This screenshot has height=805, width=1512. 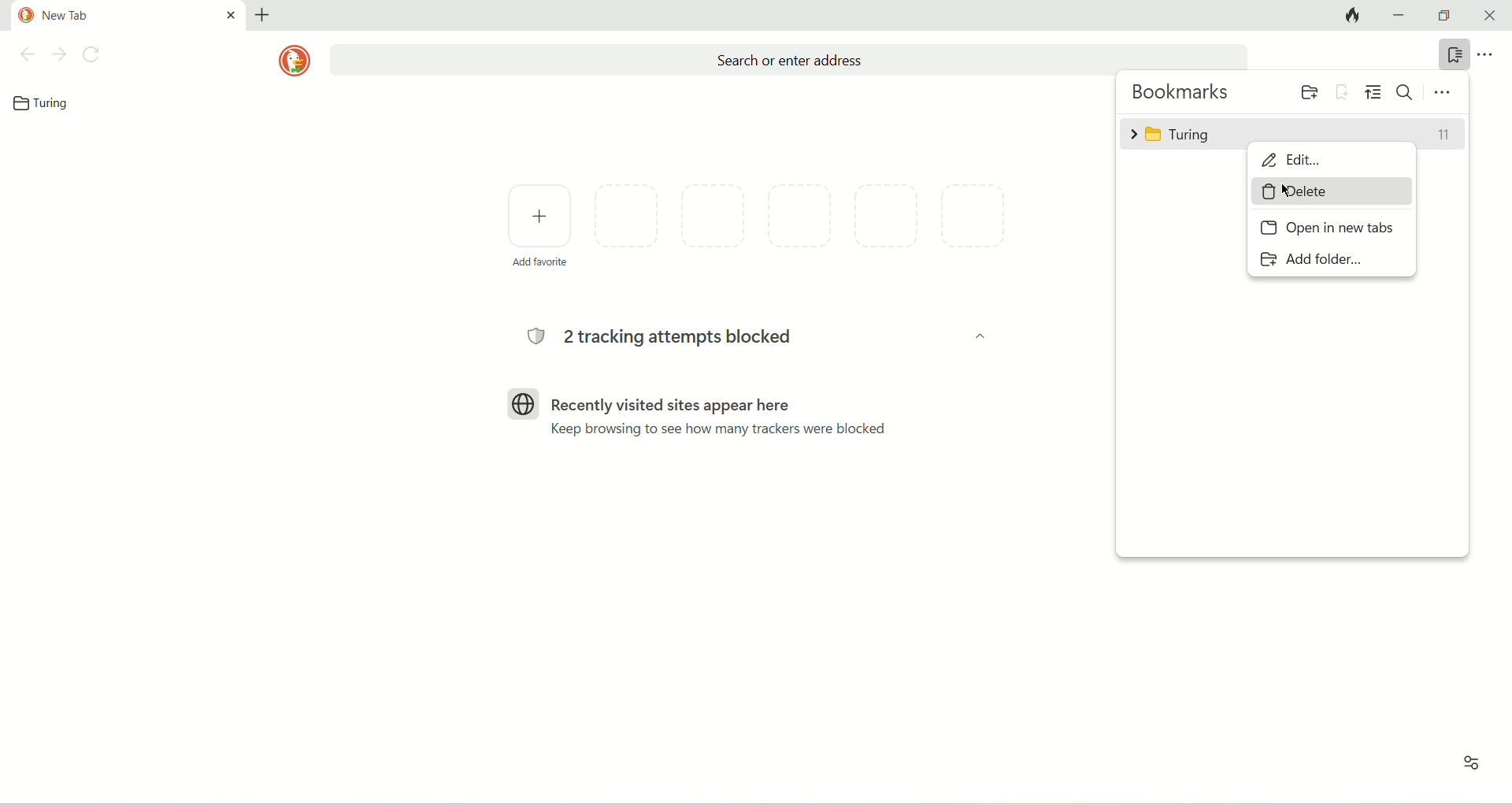 What do you see at coordinates (1400, 16) in the screenshot?
I see `minimize` at bounding box center [1400, 16].